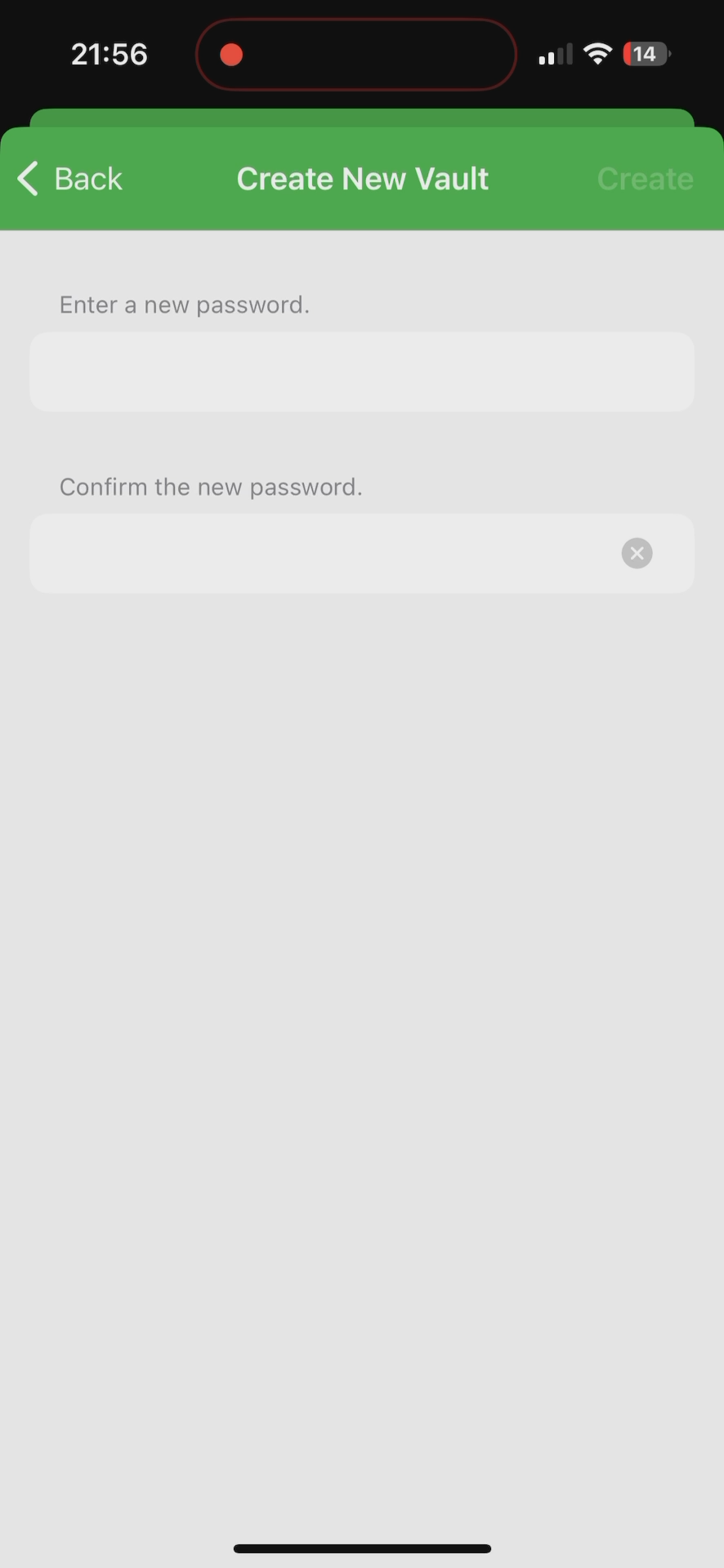 This screenshot has width=724, height=1568. I want to click on recording the screen, so click(231, 51).